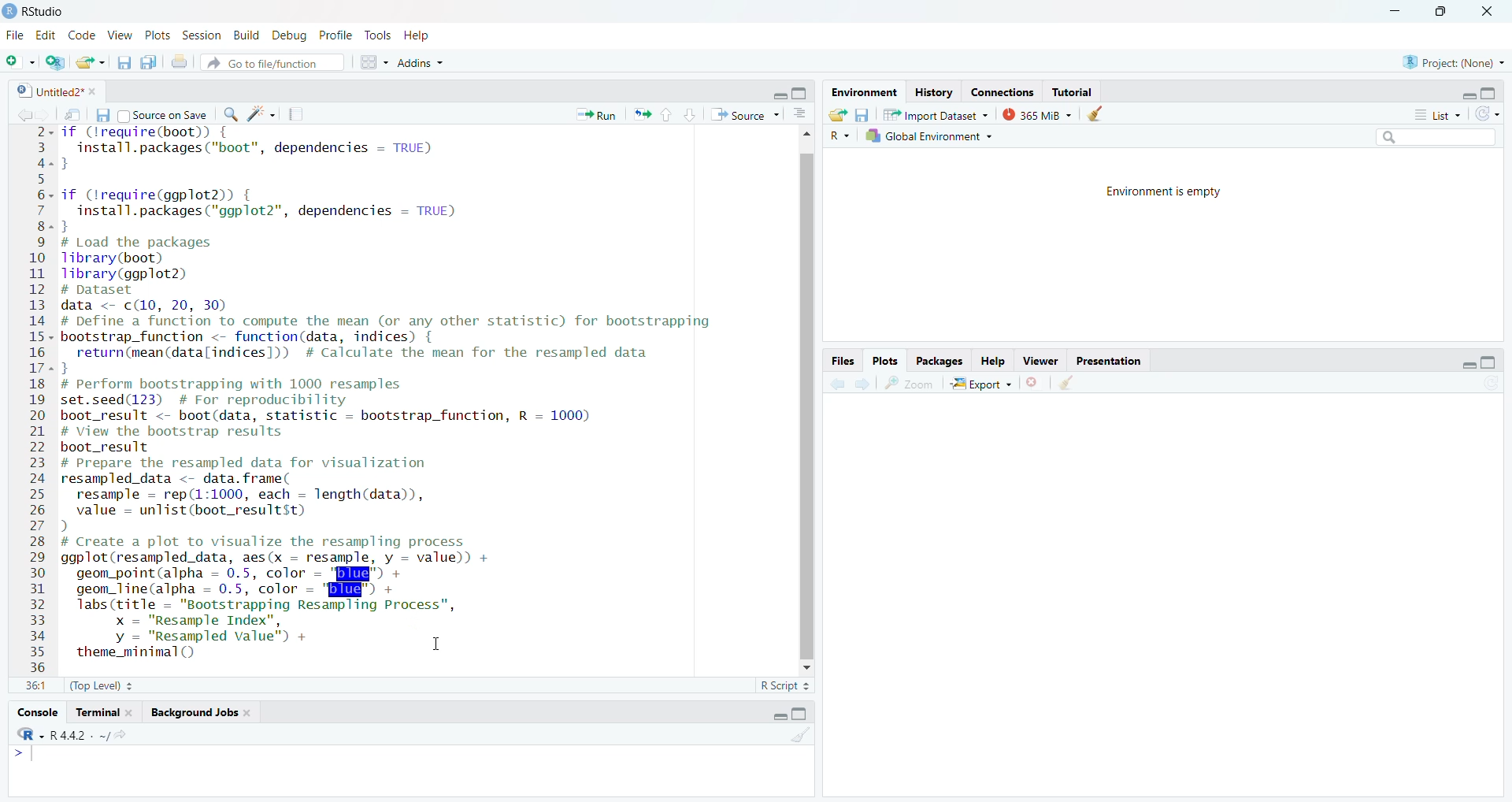 The image size is (1512, 802). I want to click on go back, so click(837, 383).